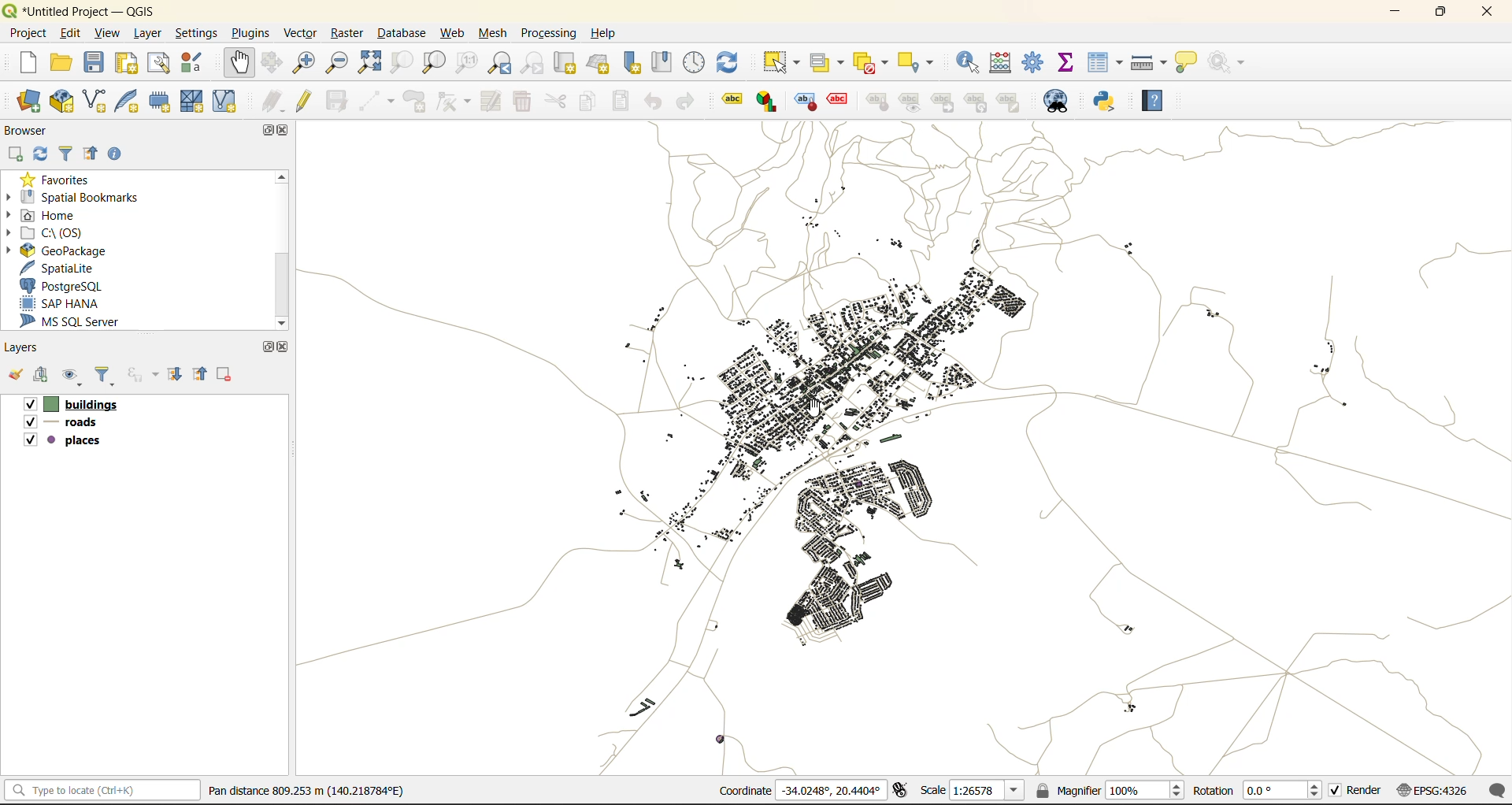  What do you see at coordinates (108, 34) in the screenshot?
I see `view` at bounding box center [108, 34].